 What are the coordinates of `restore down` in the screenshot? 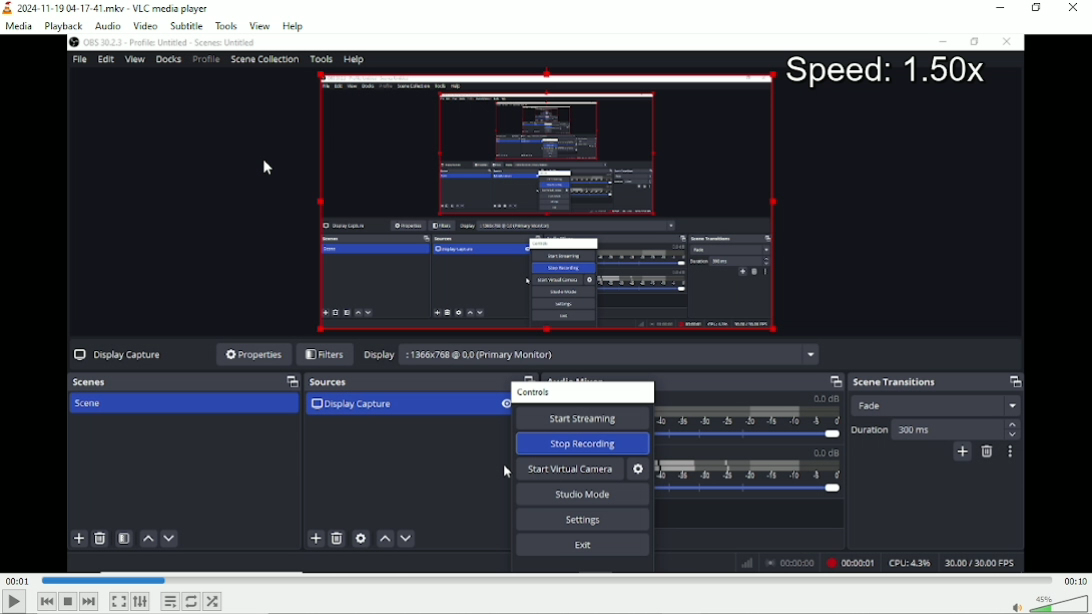 It's located at (1038, 9).